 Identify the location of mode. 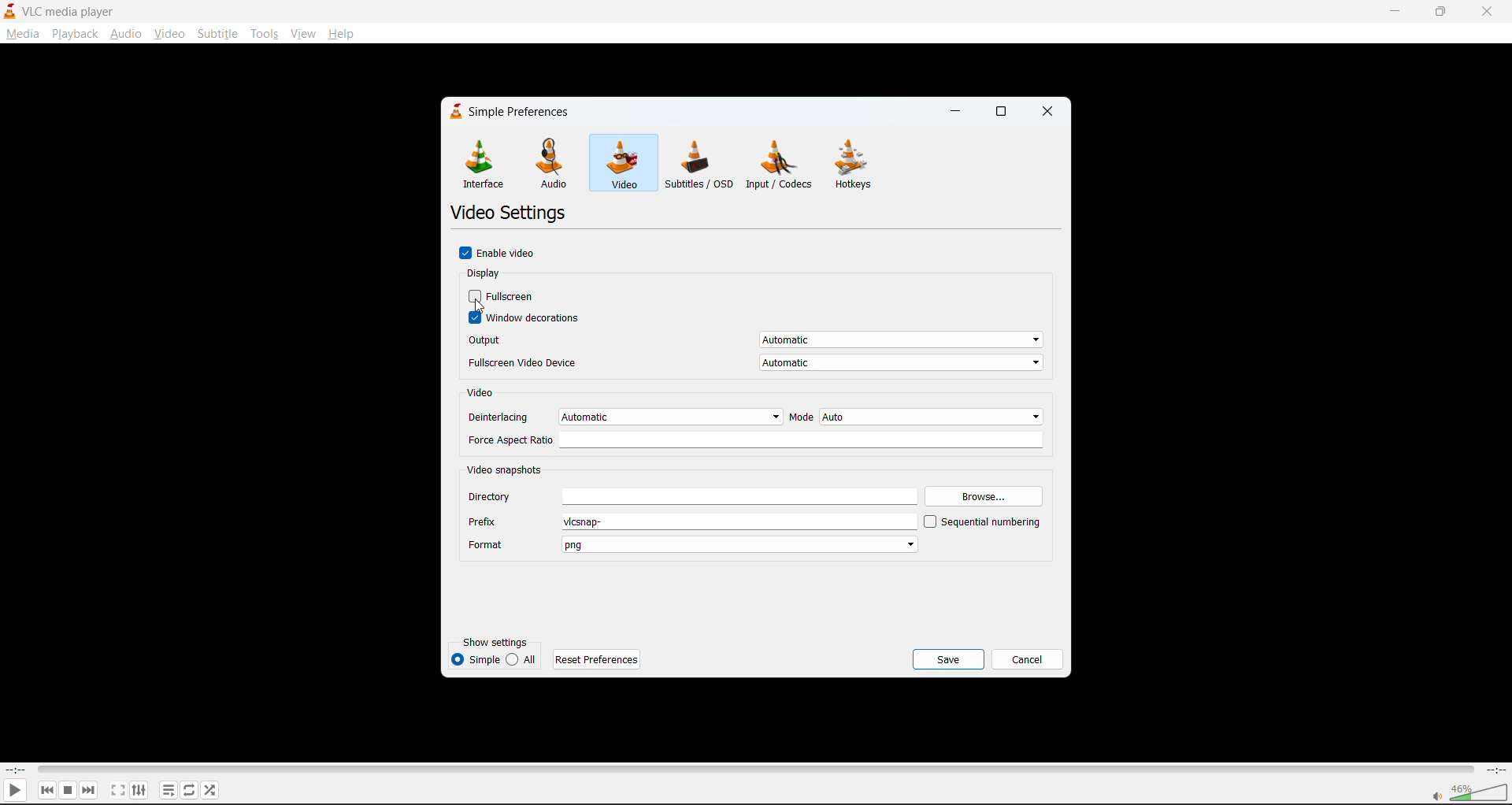
(917, 417).